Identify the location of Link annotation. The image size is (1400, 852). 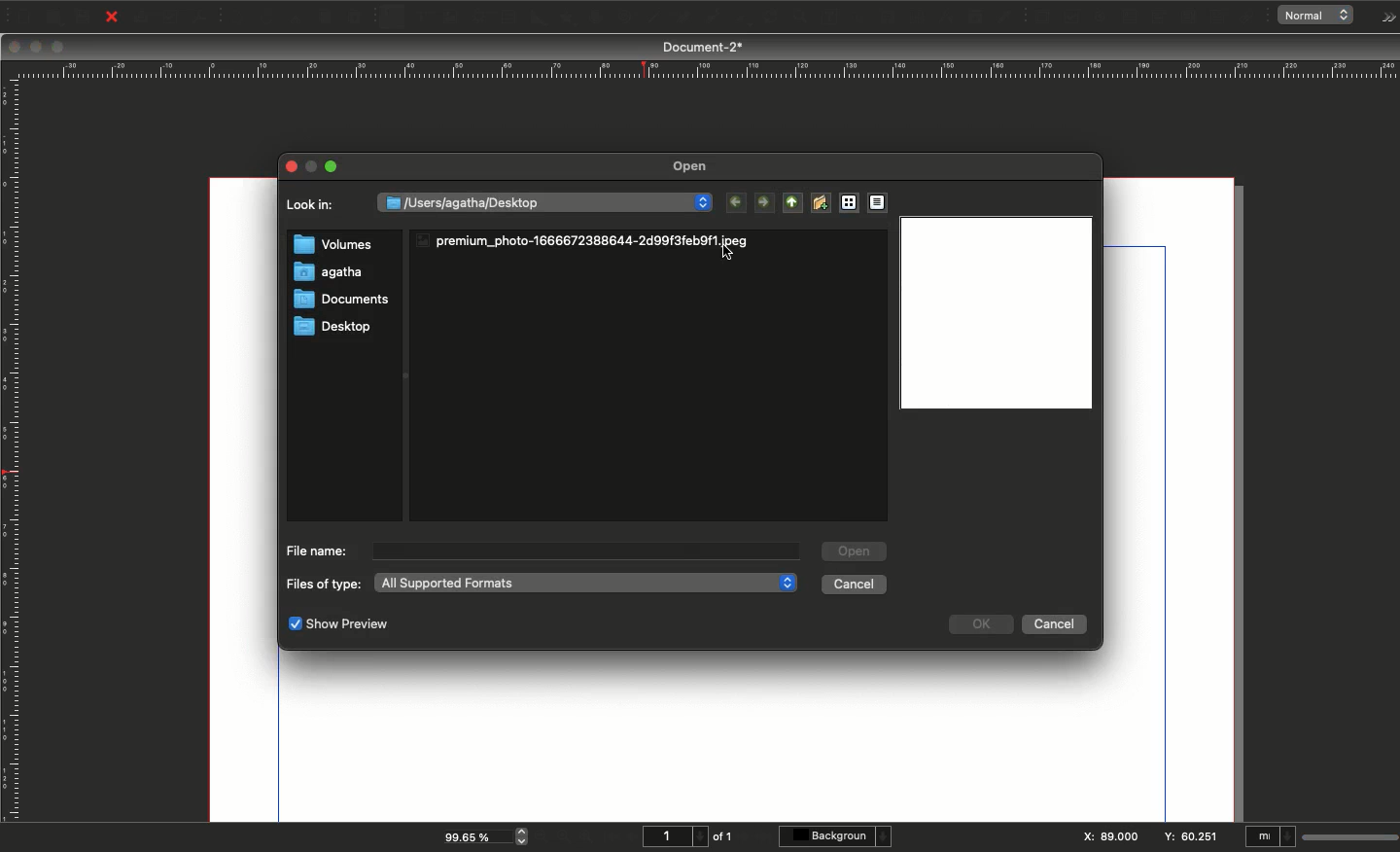
(1250, 18).